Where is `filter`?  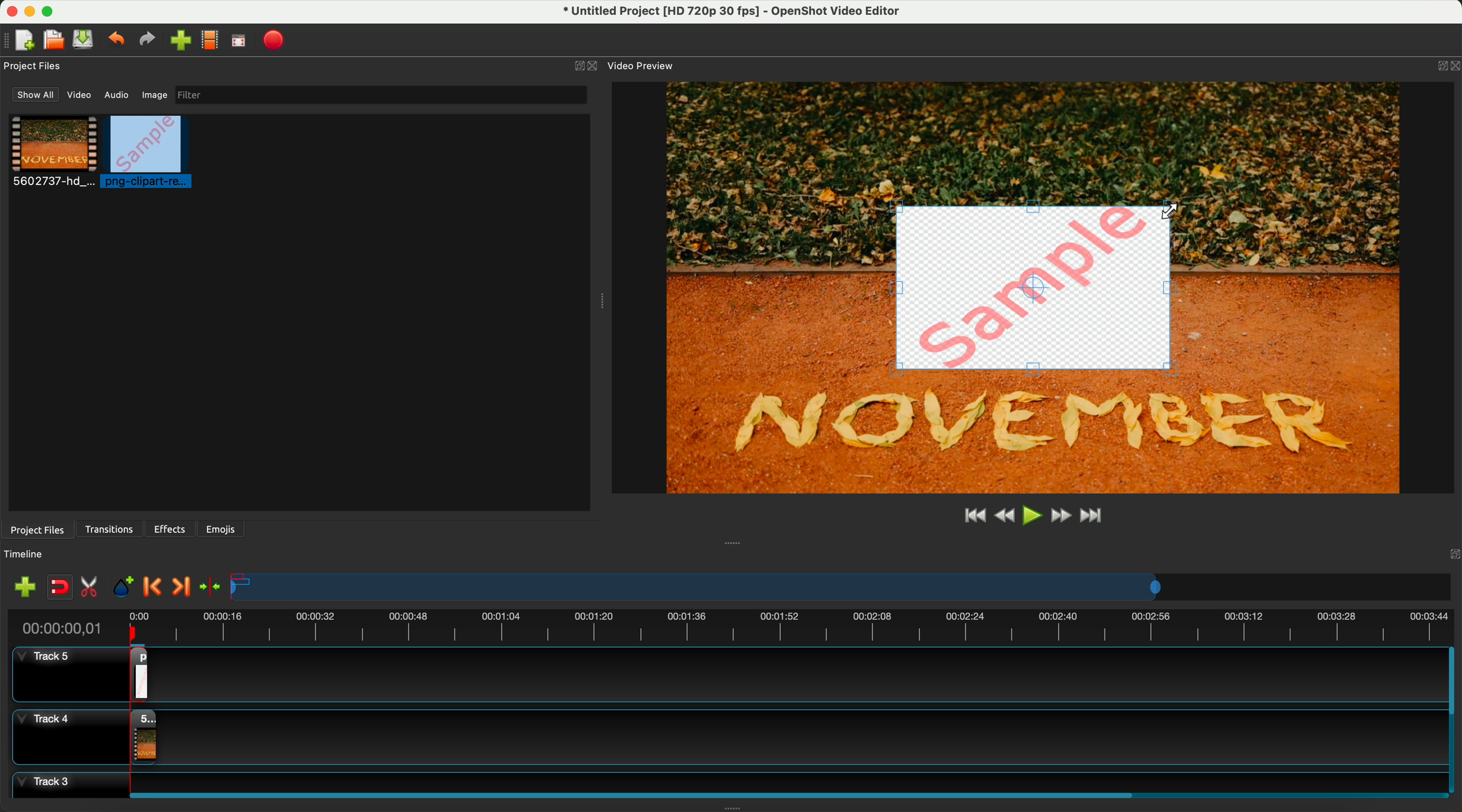
filter is located at coordinates (378, 95).